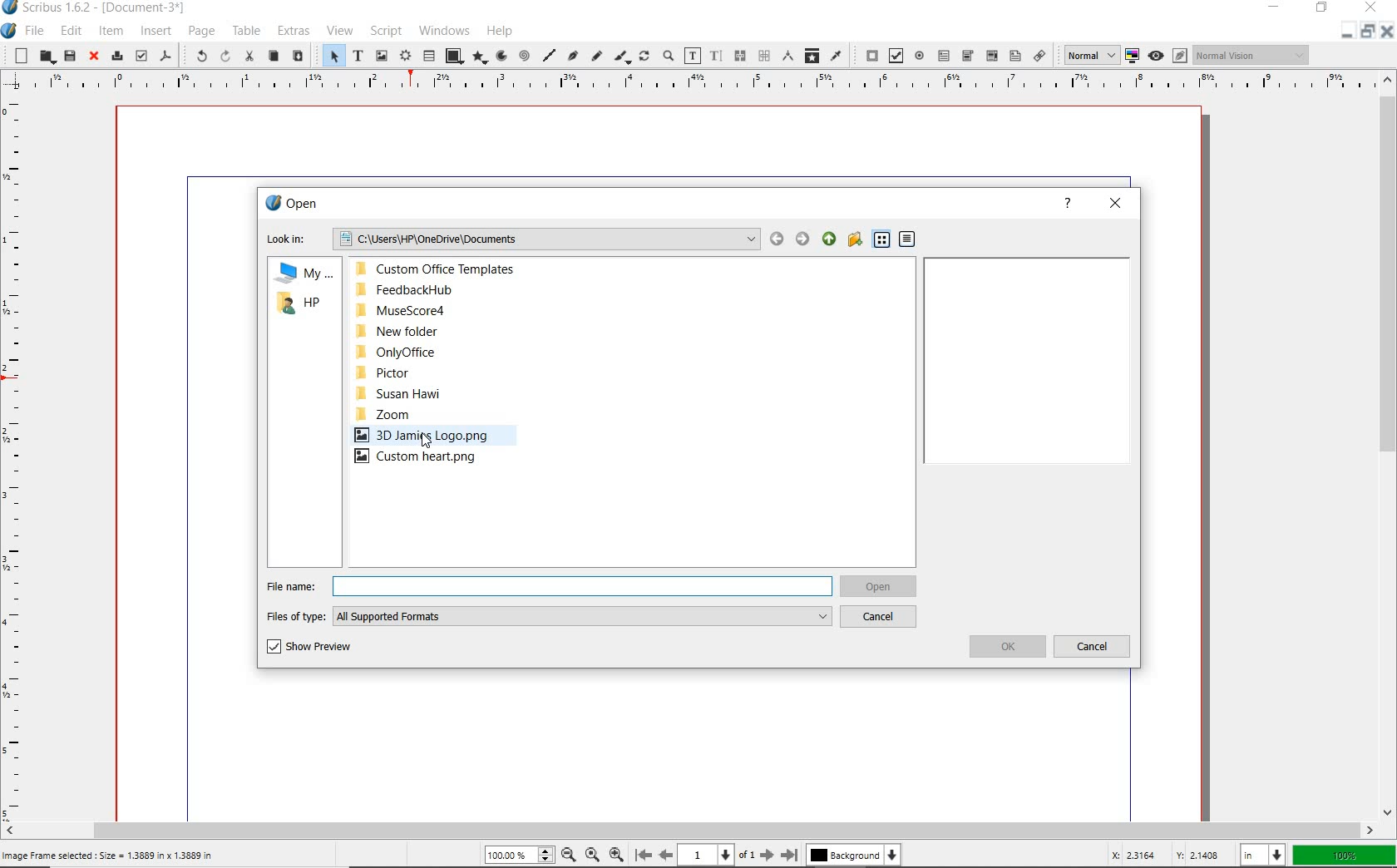  Describe the element at coordinates (381, 57) in the screenshot. I see `image frame` at that location.